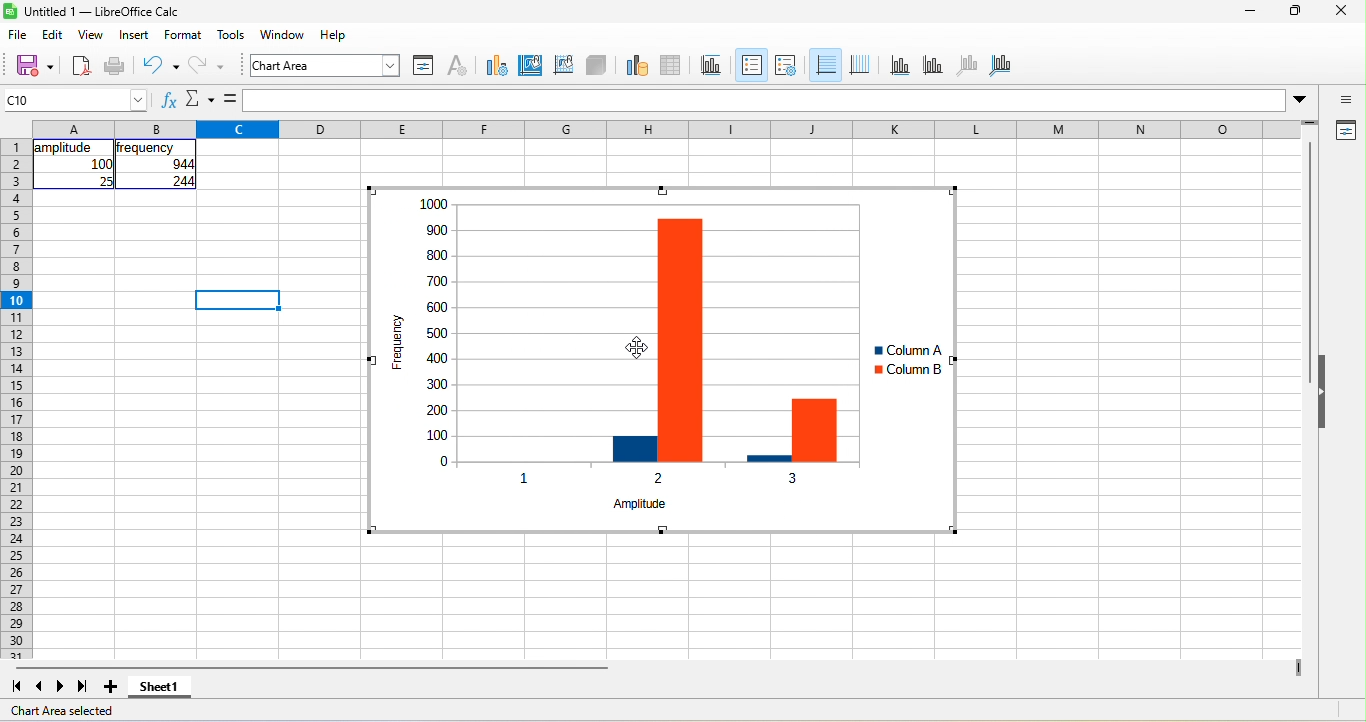  What do you see at coordinates (183, 181) in the screenshot?
I see `244` at bounding box center [183, 181].